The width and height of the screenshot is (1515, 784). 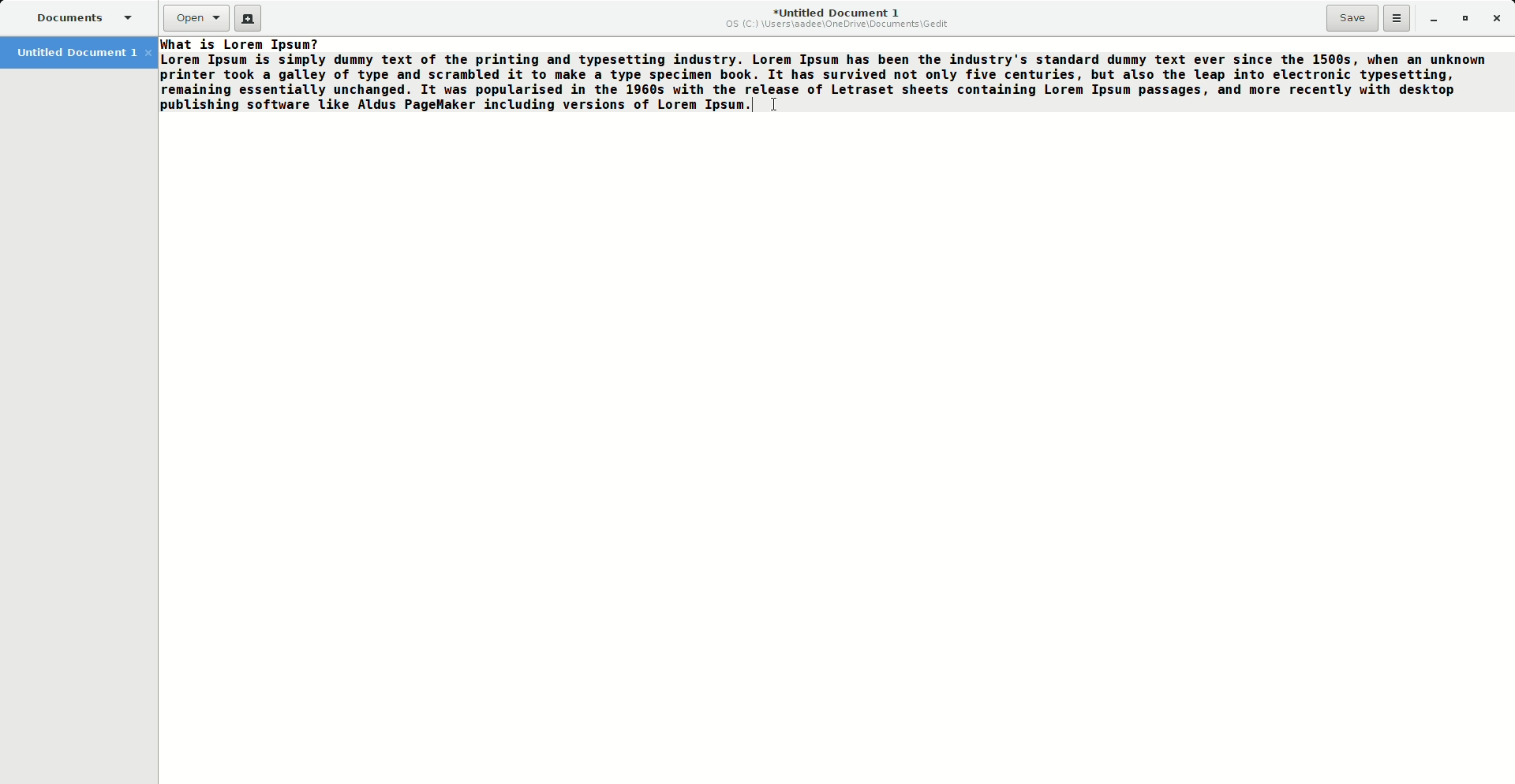 What do you see at coordinates (1497, 17) in the screenshot?
I see `Close` at bounding box center [1497, 17].